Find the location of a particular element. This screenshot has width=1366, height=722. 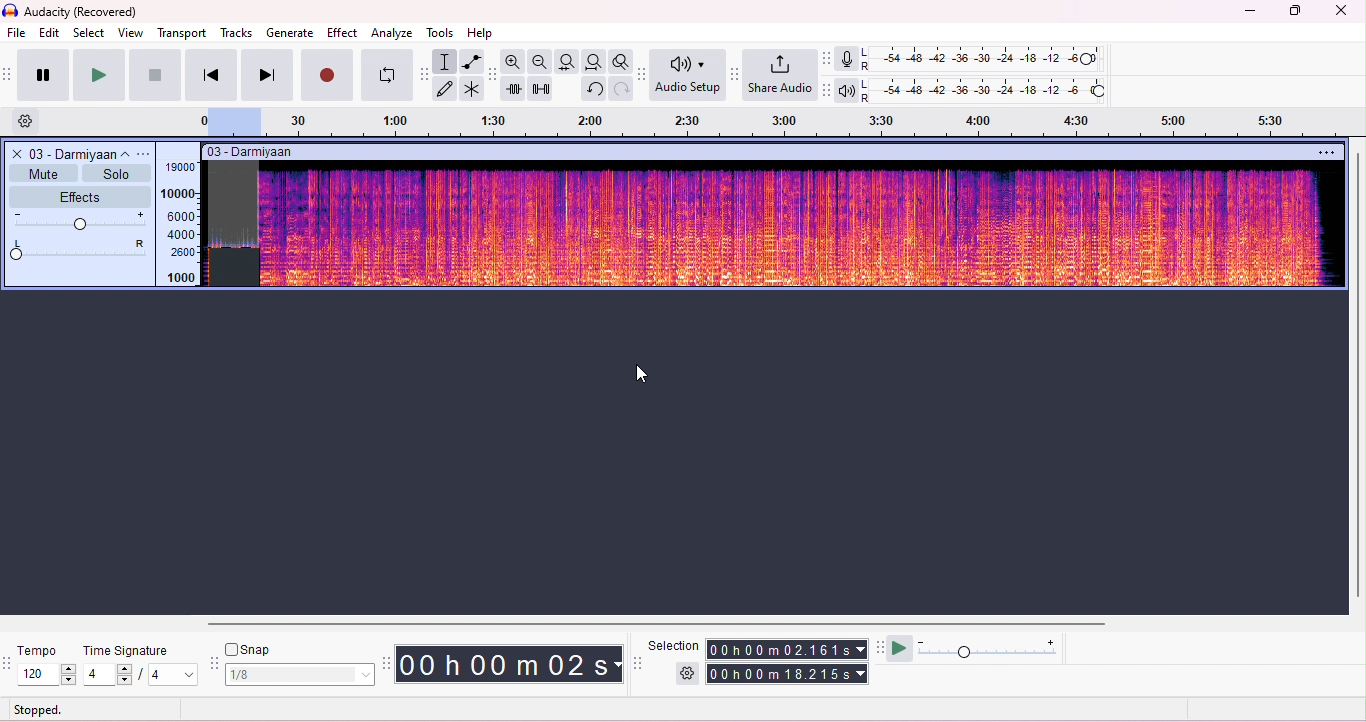

play is located at coordinates (98, 75).